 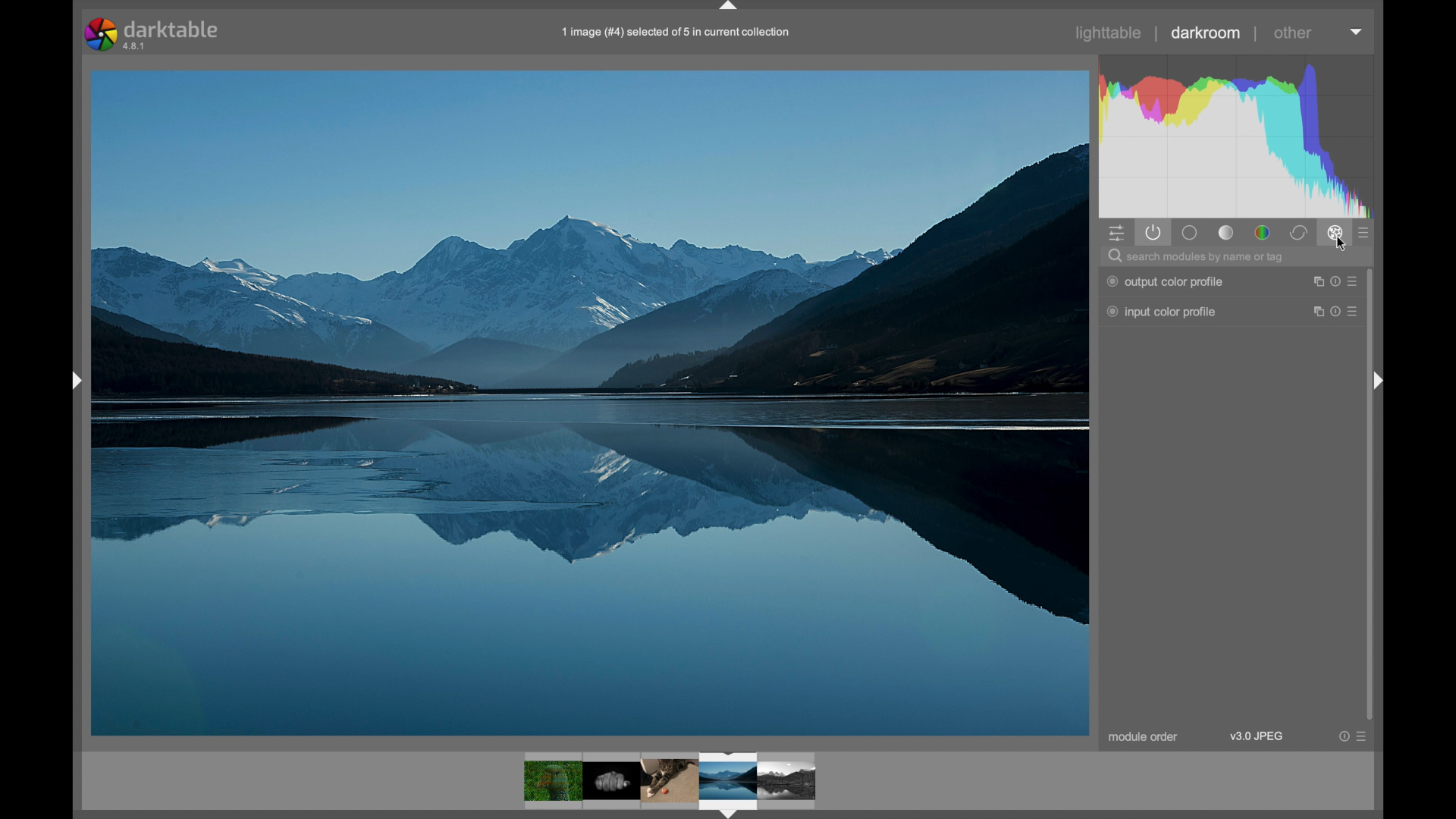 What do you see at coordinates (1225, 232) in the screenshot?
I see `tone` at bounding box center [1225, 232].